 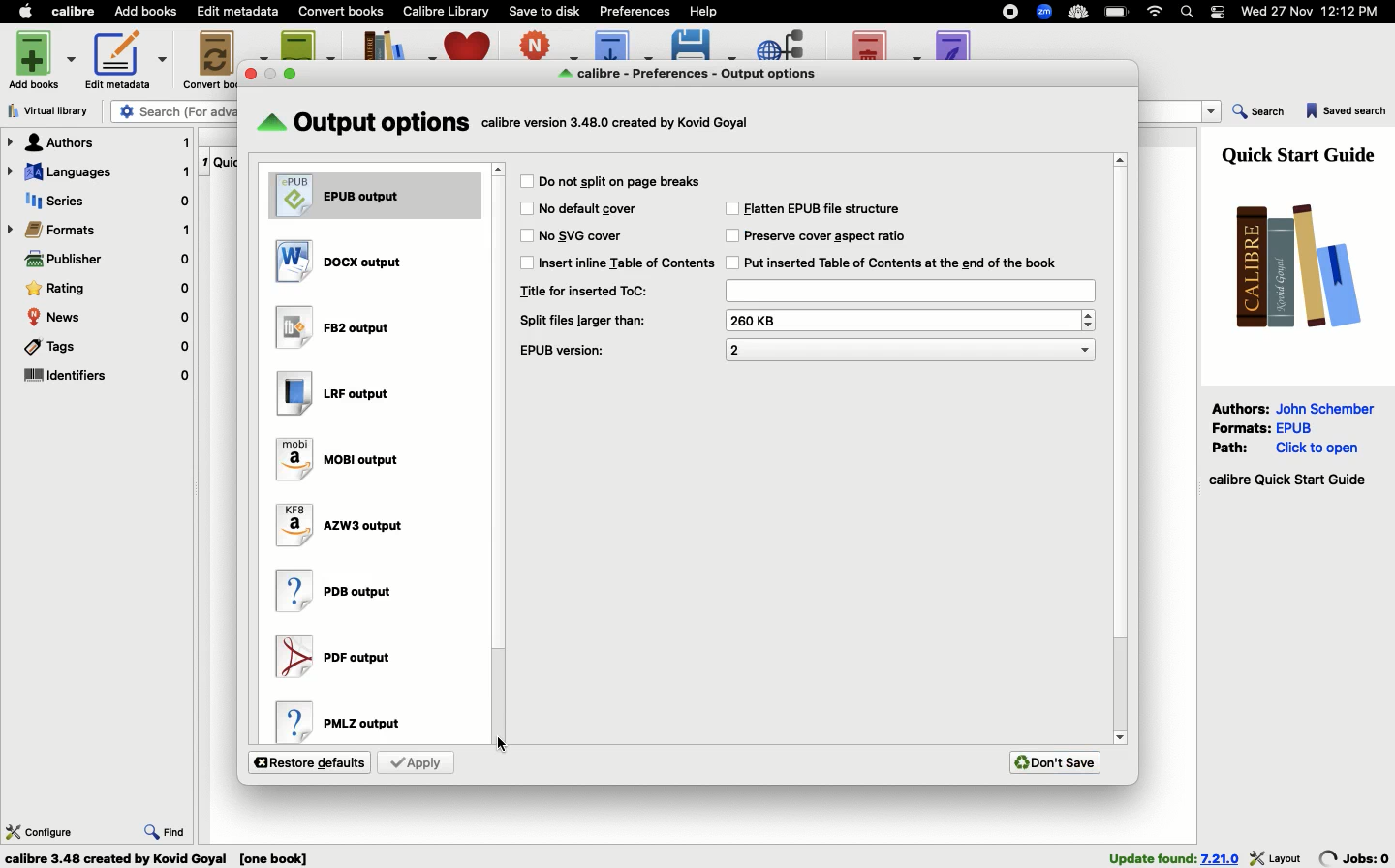 I want to click on Publisher, so click(x=107, y=262).